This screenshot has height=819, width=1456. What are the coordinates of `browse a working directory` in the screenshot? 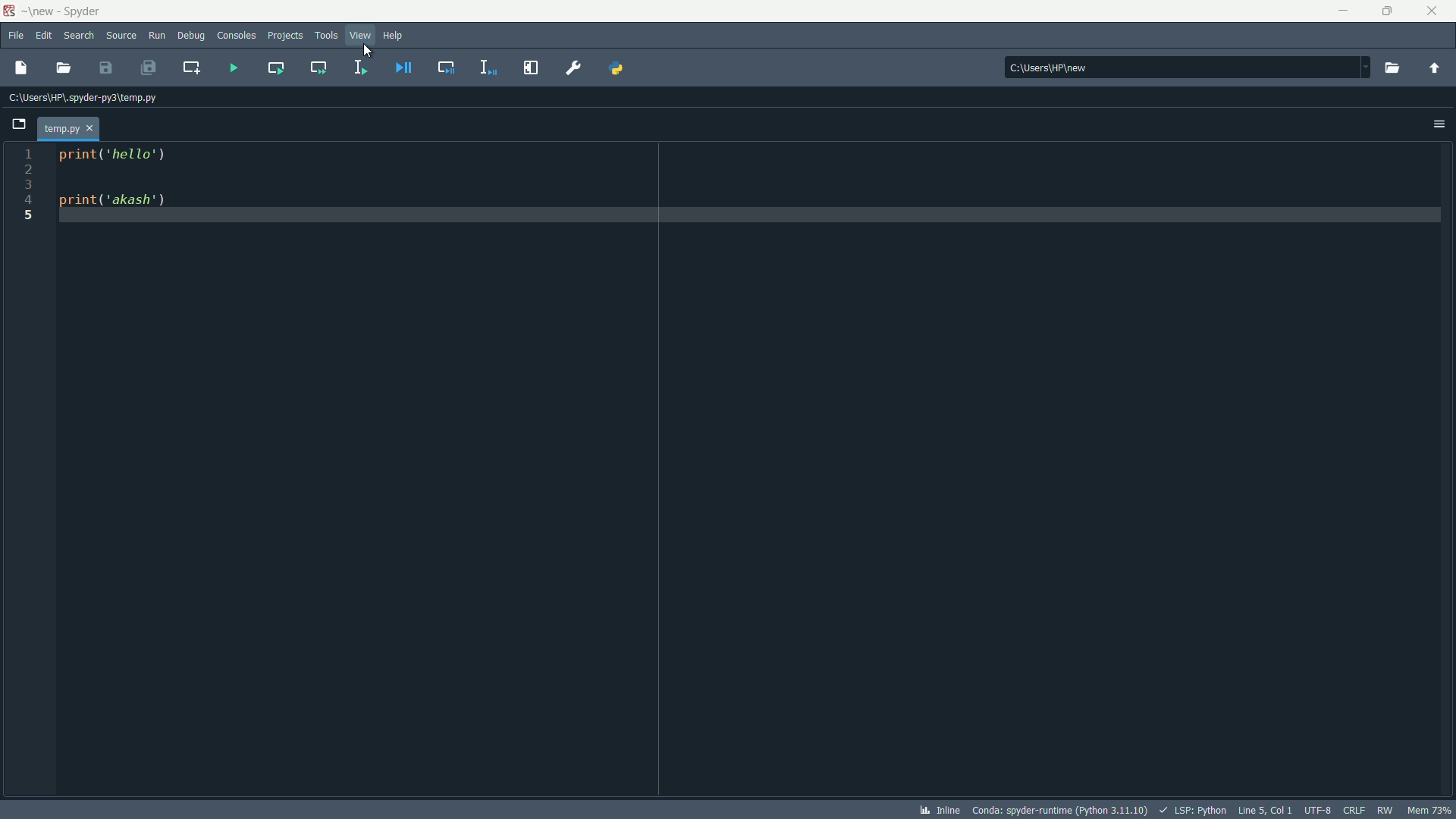 It's located at (1395, 67).